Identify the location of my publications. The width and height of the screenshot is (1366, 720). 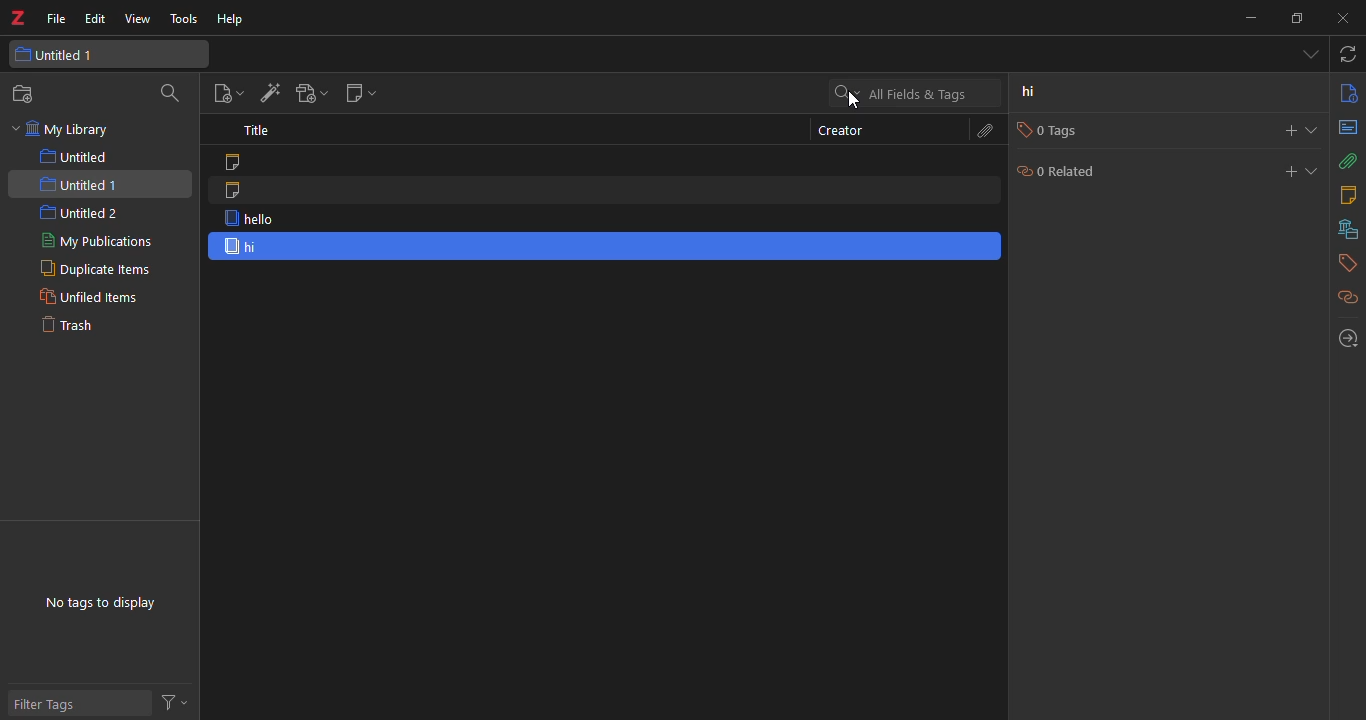
(101, 240).